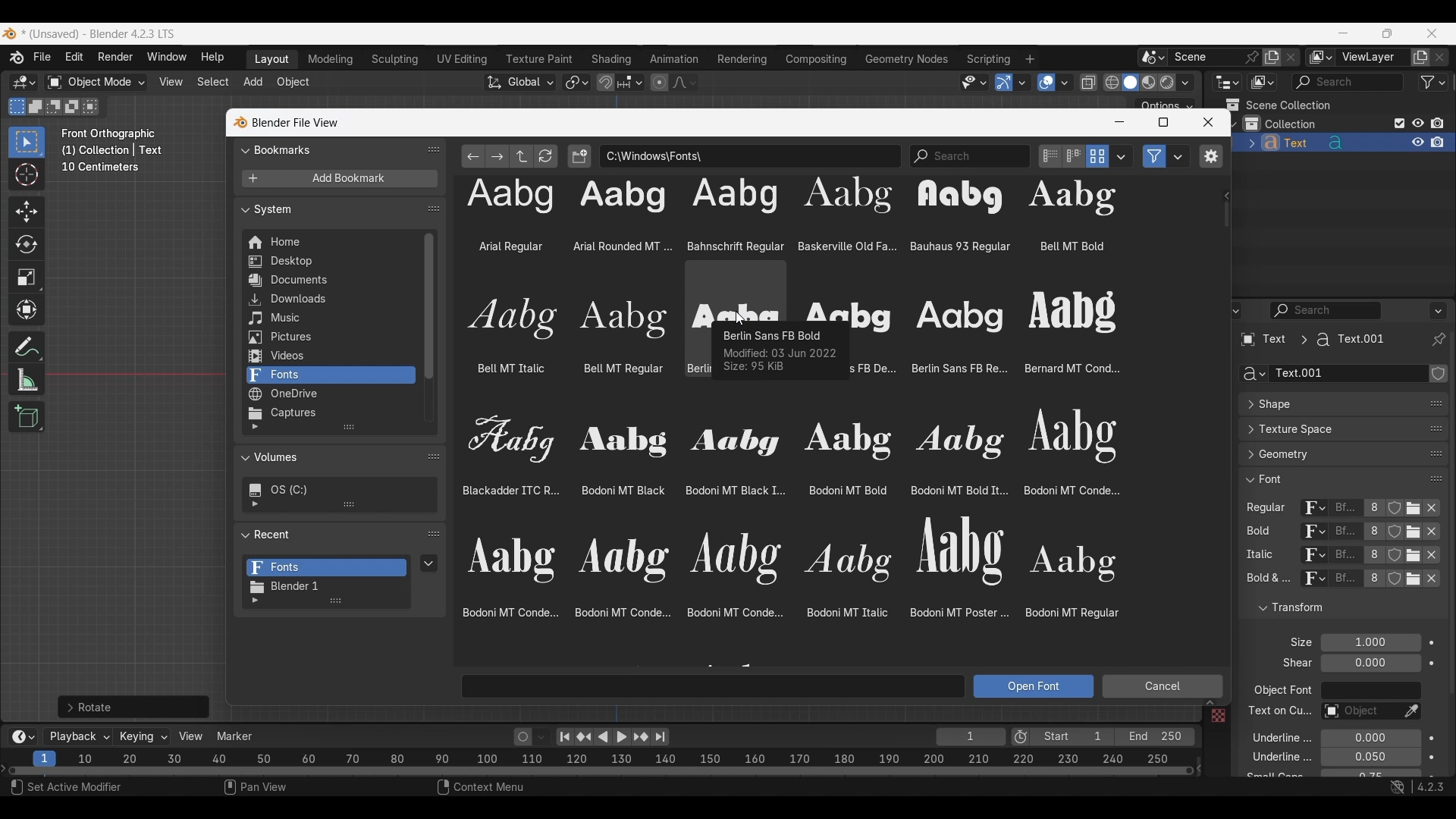 The image size is (1456, 819). I want to click on Pictures folder, so click(329, 337).